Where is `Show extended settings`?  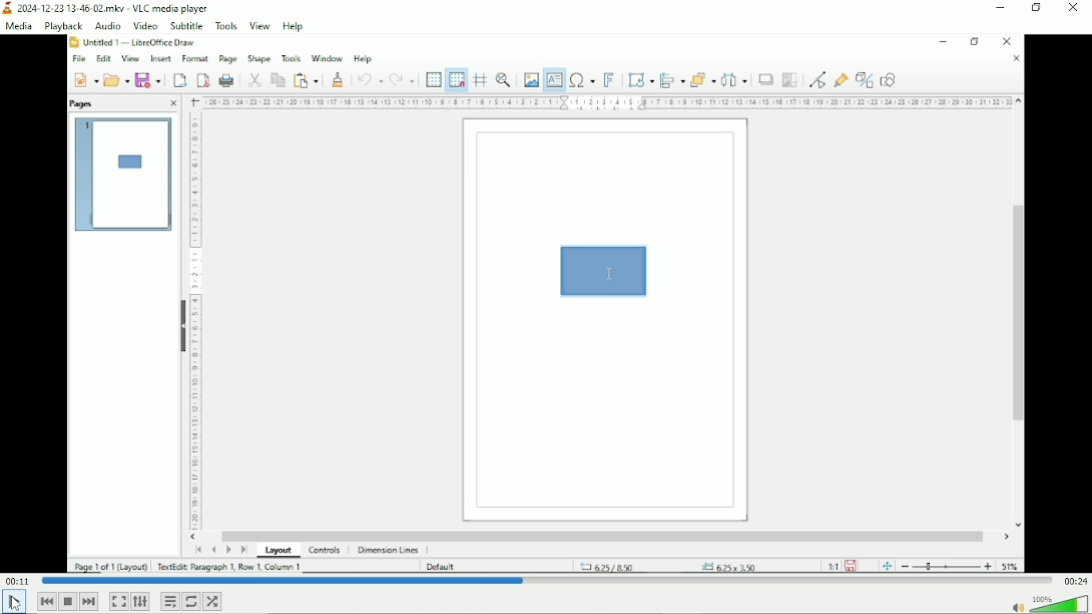
Show extended settings is located at coordinates (140, 602).